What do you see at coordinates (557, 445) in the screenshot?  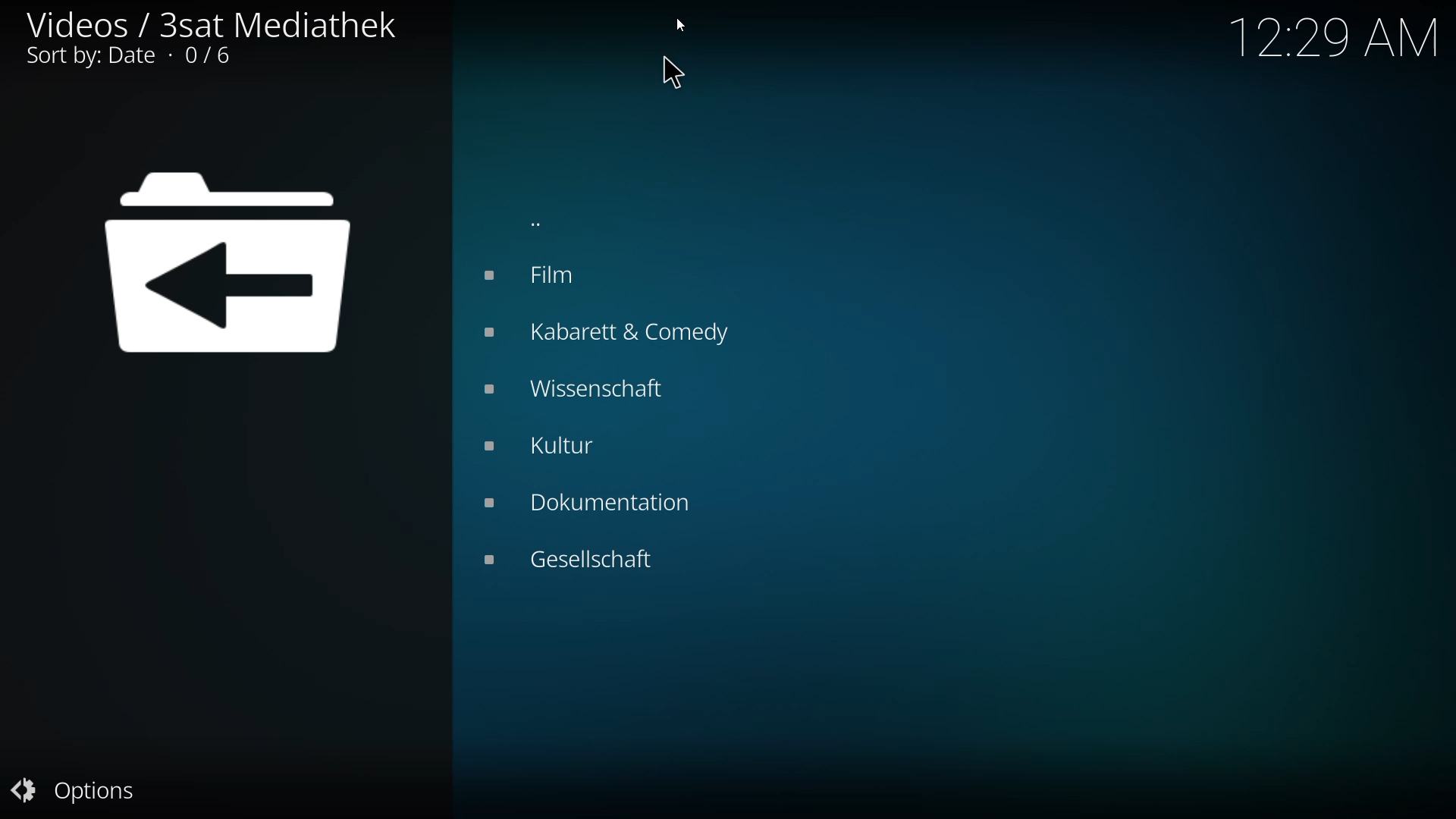 I see `kultur` at bounding box center [557, 445].